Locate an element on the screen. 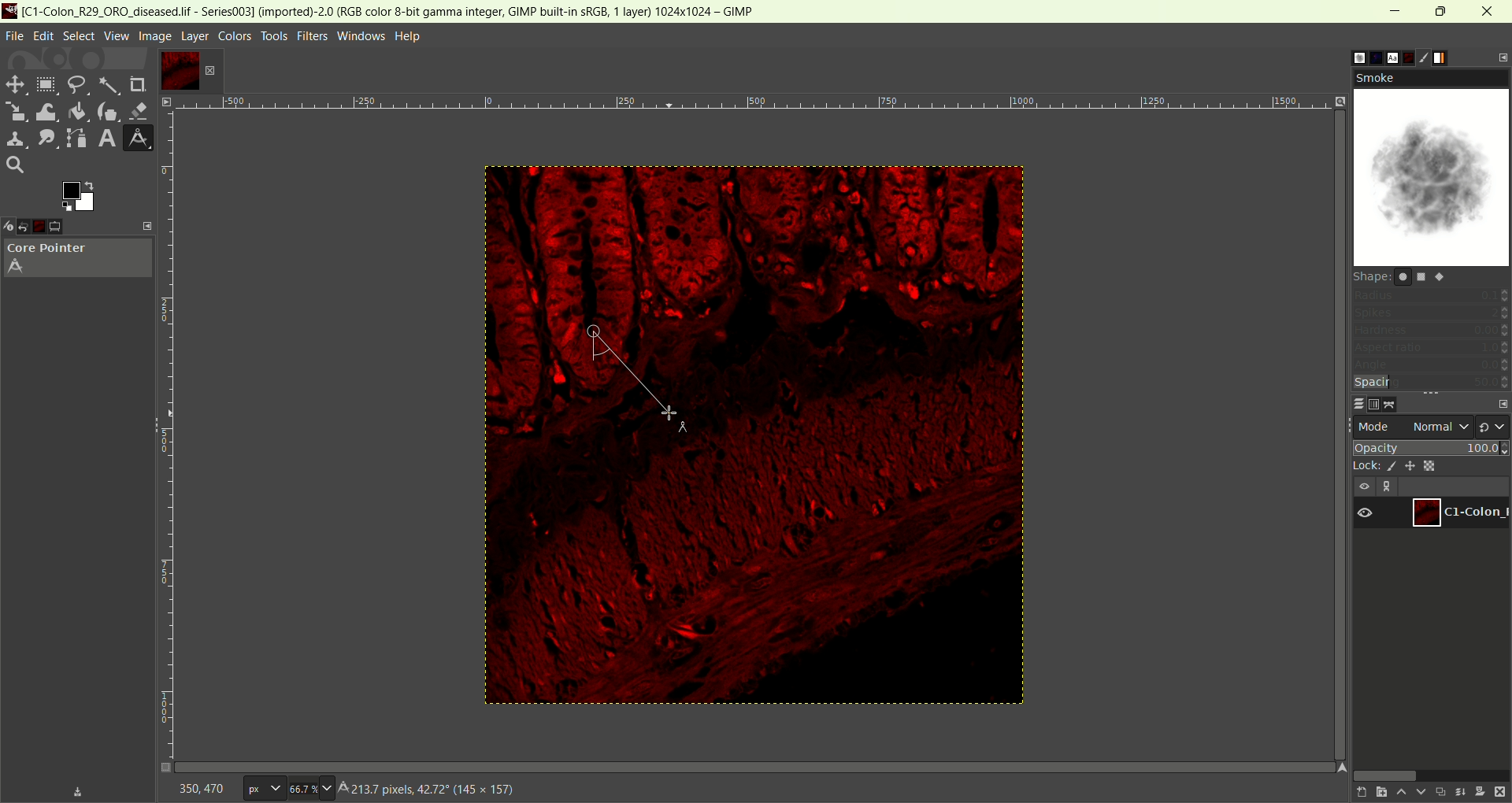 Image resolution: width=1512 pixels, height=803 pixels. core pointer is located at coordinates (78, 260).